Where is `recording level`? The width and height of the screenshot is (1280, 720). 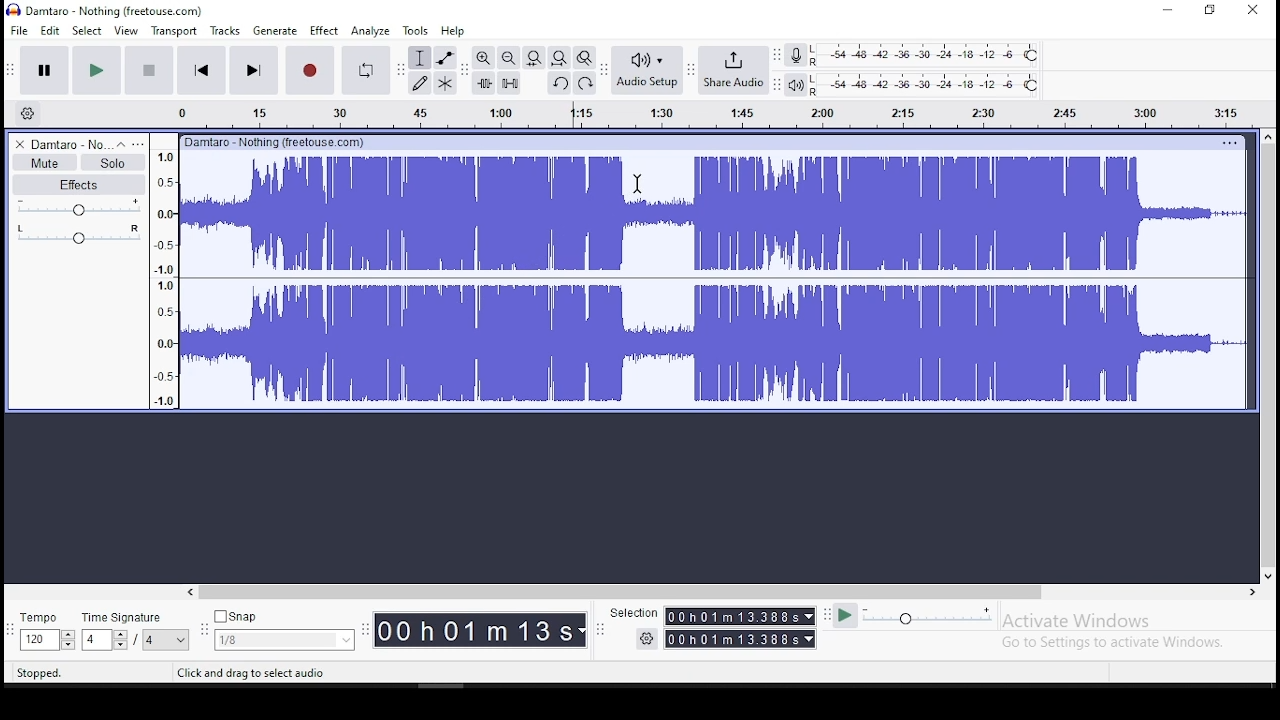 recording level is located at coordinates (924, 56).